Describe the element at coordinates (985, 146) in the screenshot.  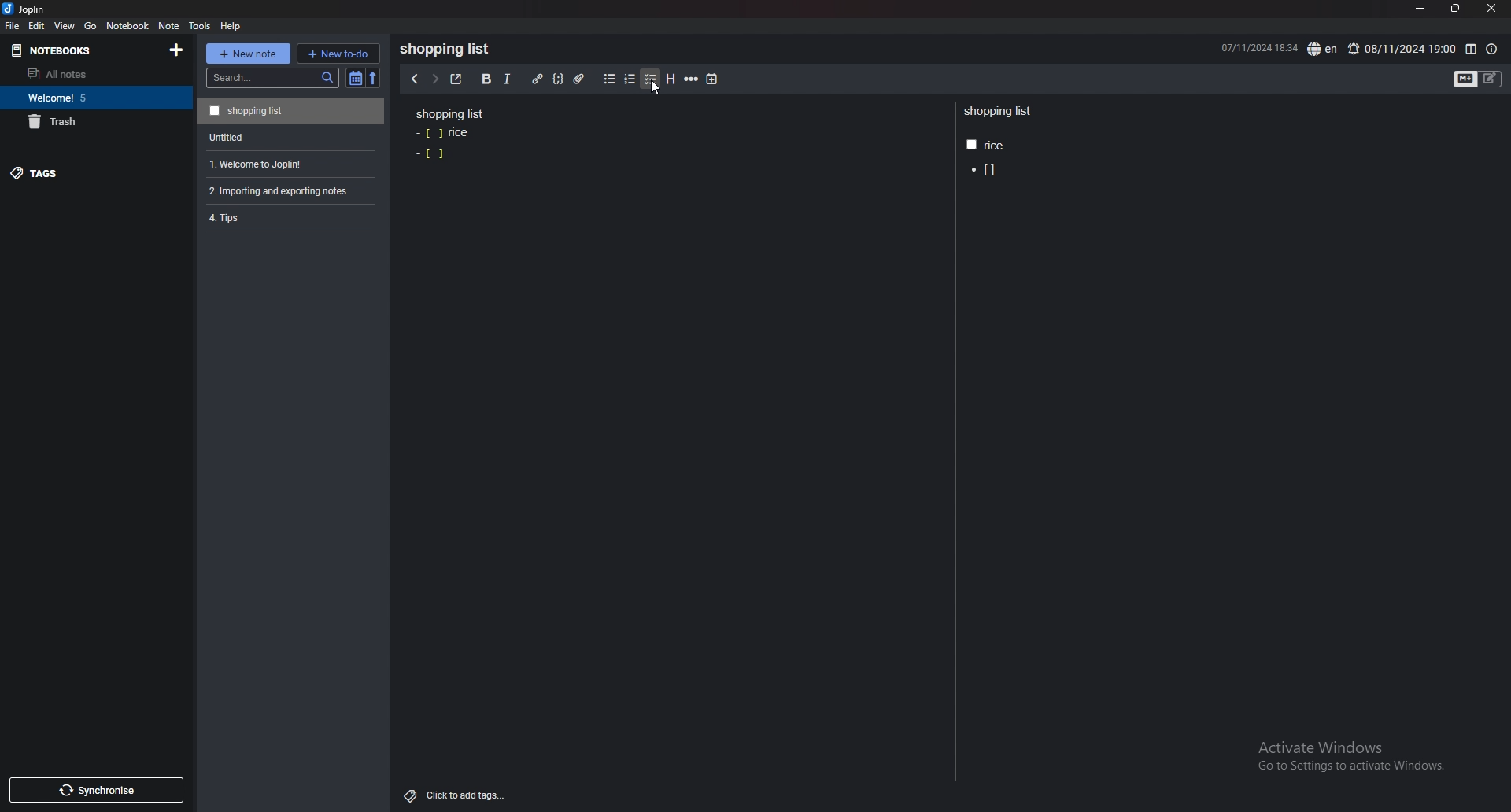
I see `rice` at that location.